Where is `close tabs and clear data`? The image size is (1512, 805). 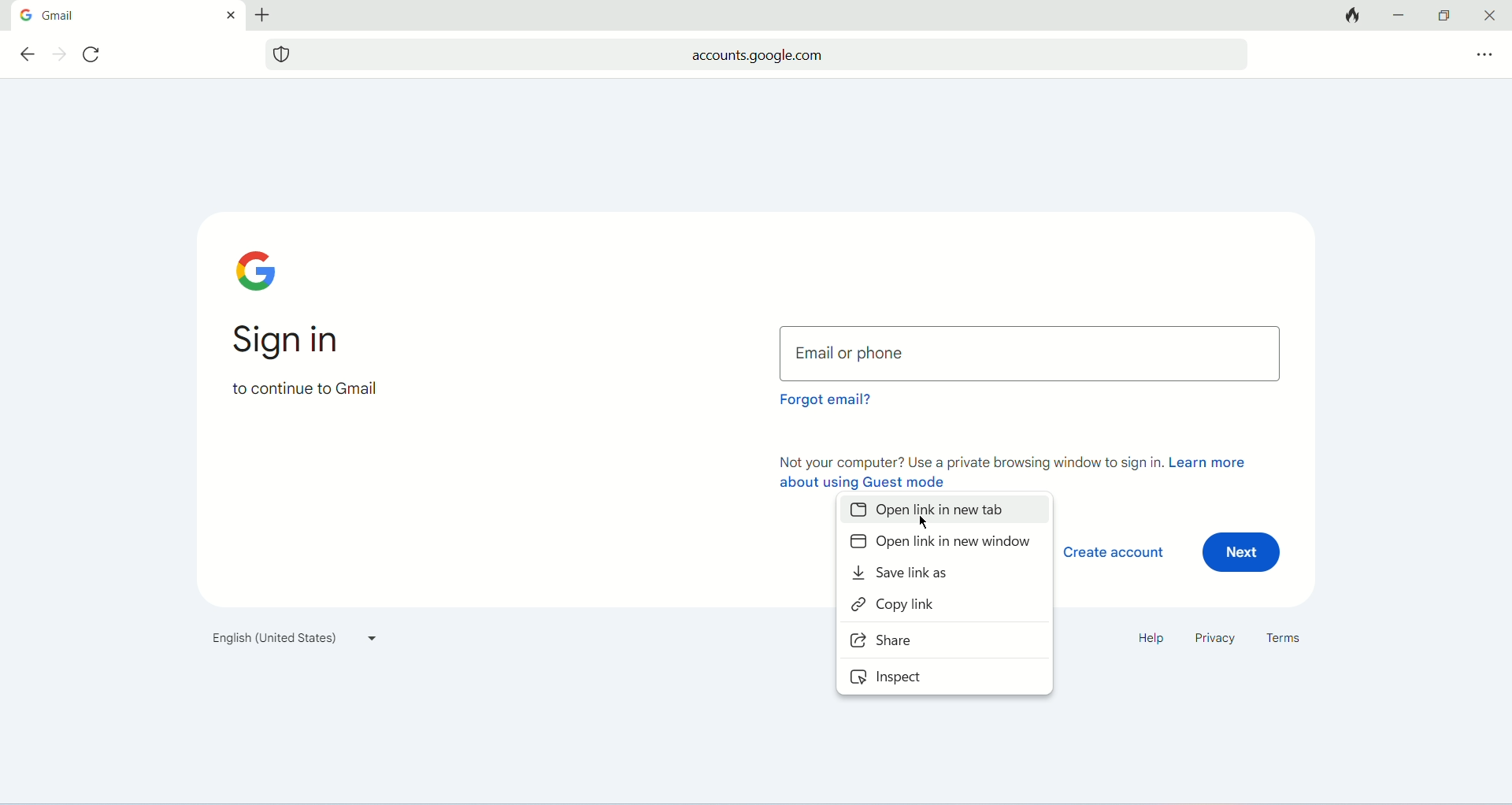
close tabs and clear data is located at coordinates (1350, 17).